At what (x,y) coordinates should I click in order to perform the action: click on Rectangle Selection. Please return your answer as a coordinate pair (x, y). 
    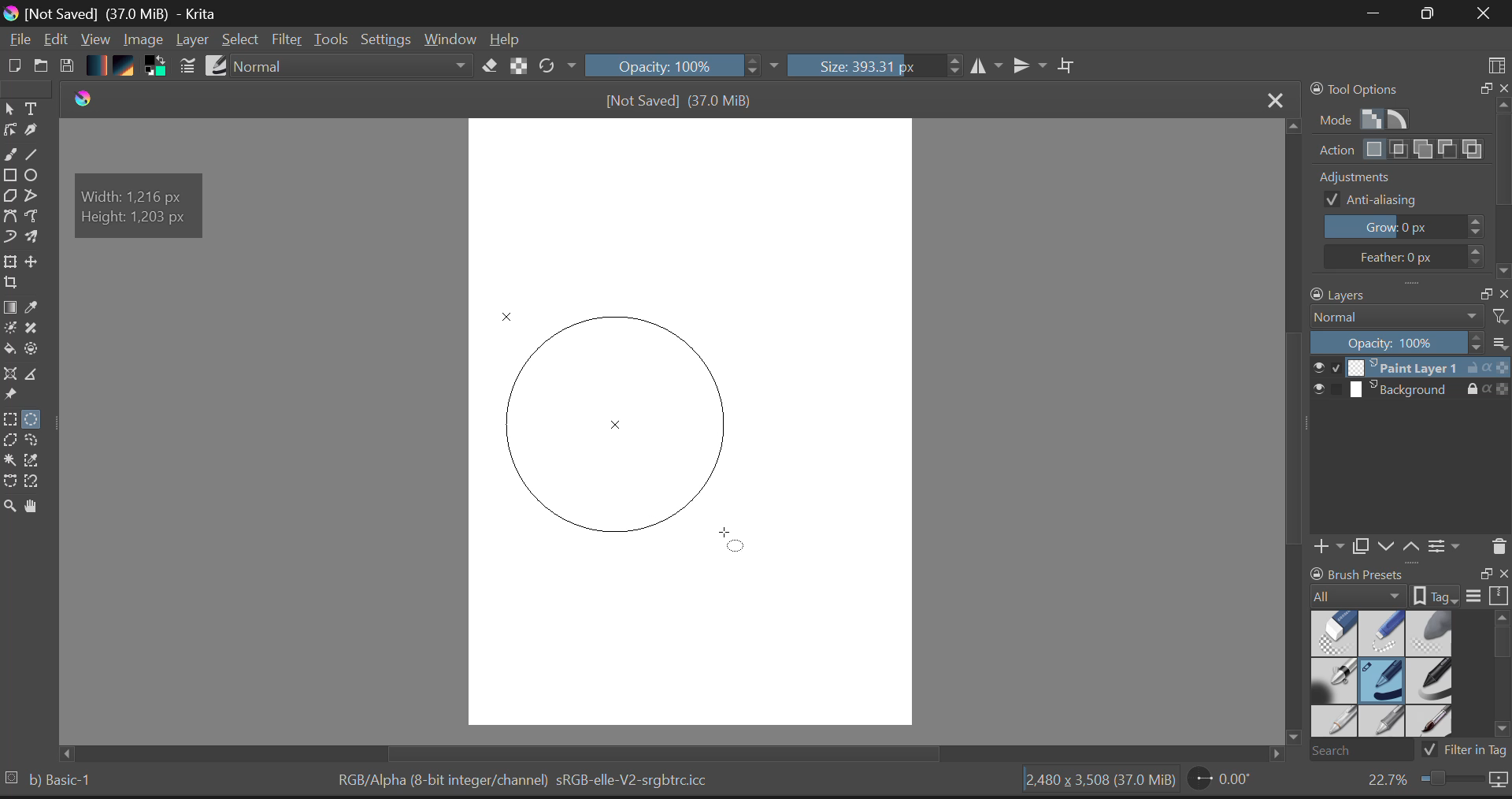
    Looking at the image, I should click on (9, 421).